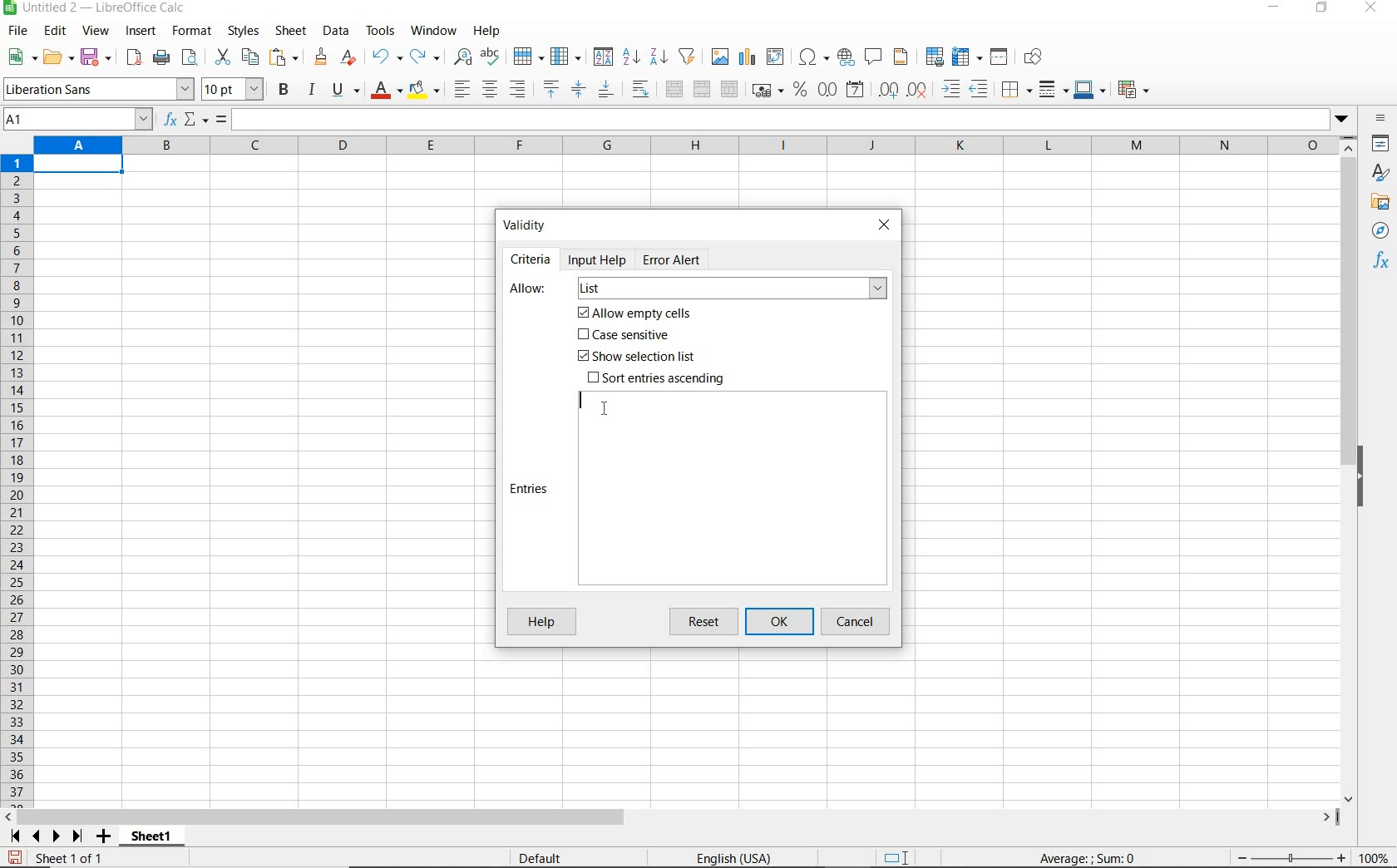  What do you see at coordinates (918, 89) in the screenshot?
I see `delete decimal place` at bounding box center [918, 89].